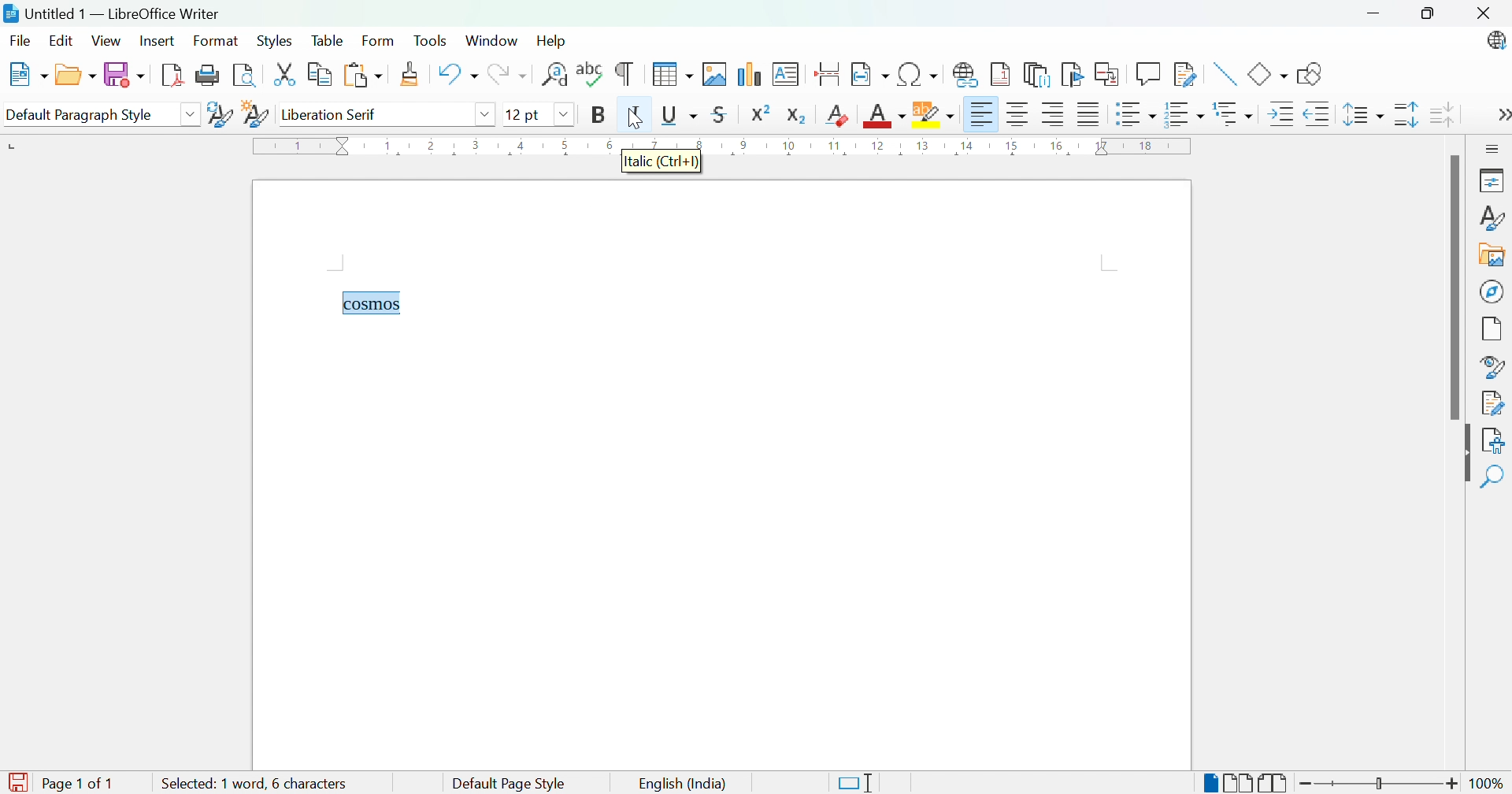  I want to click on Insert text box, so click(784, 74).